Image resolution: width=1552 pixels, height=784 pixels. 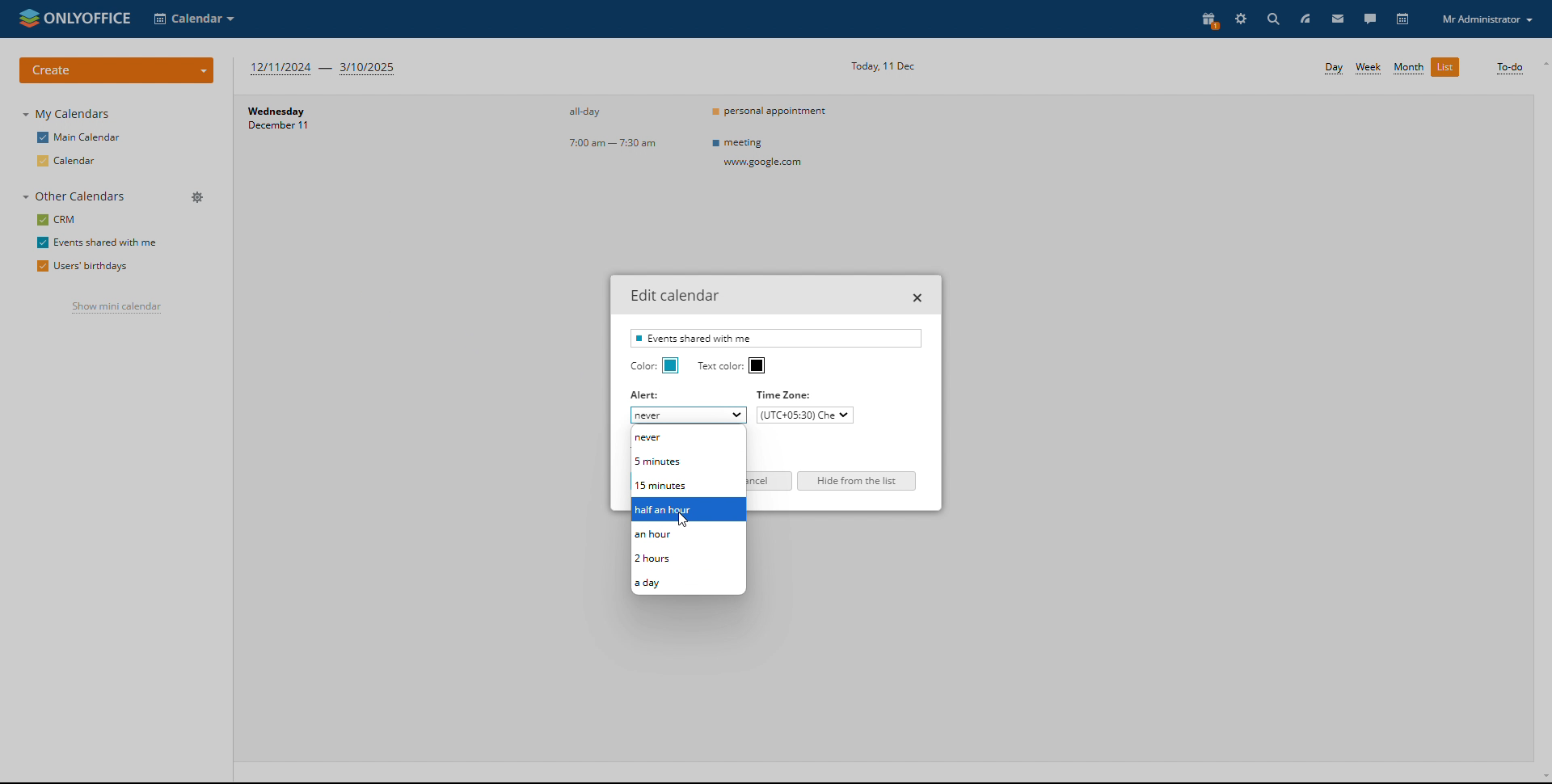 What do you see at coordinates (689, 582) in the screenshot?
I see `a day` at bounding box center [689, 582].